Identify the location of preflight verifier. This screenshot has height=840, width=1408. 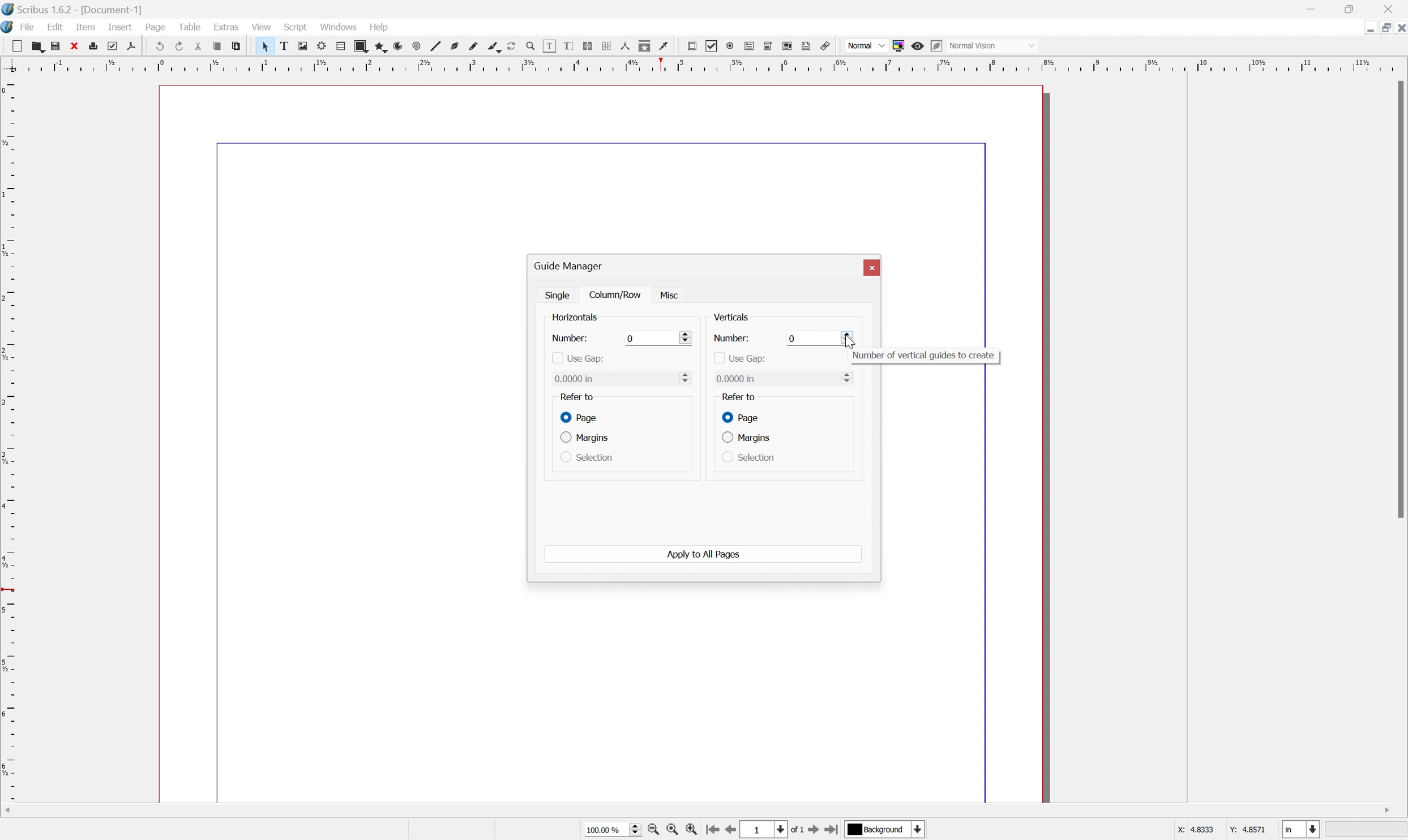
(118, 46).